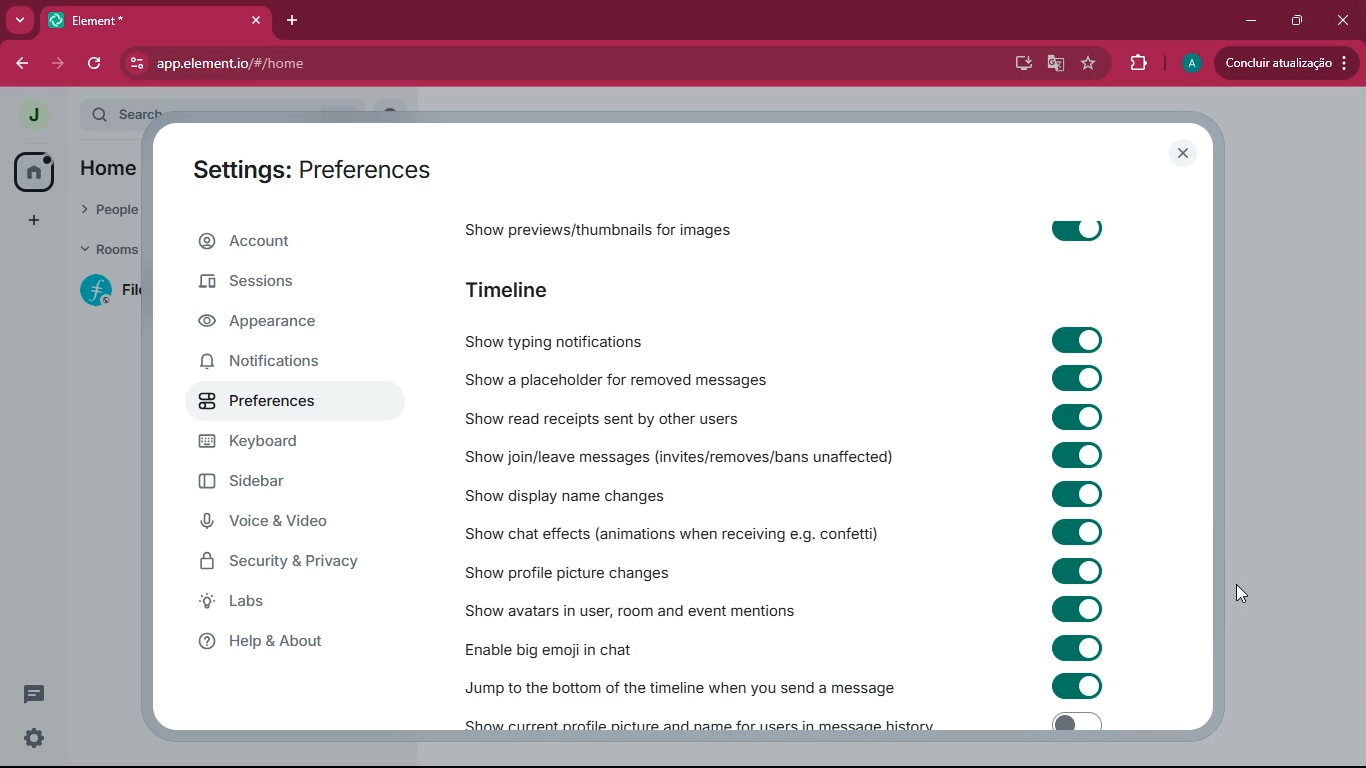 The image size is (1366, 768). Describe the element at coordinates (1287, 62) in the screenshot. I see `concluir atualizacao` at that location.